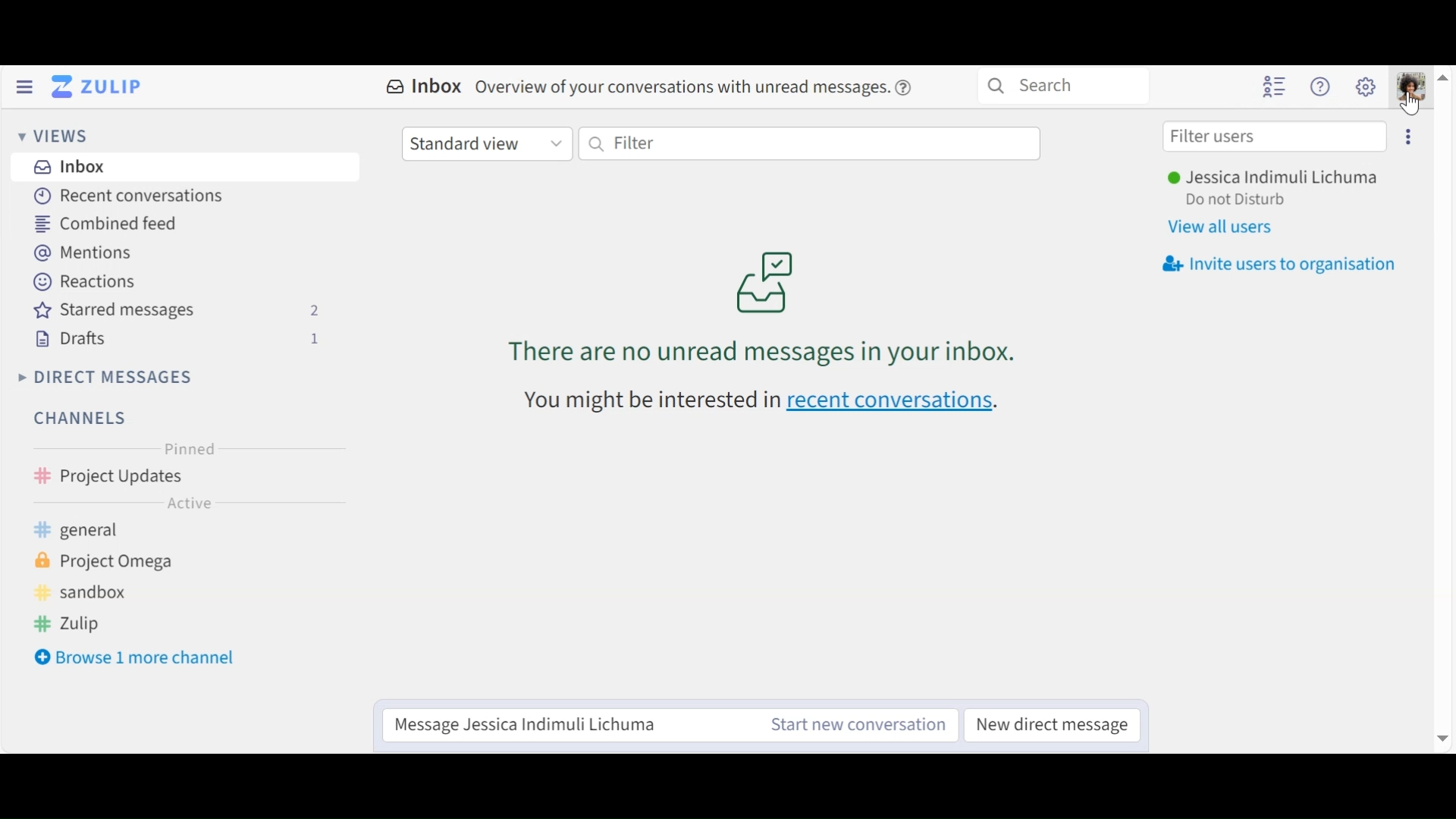 The width and height of the screenshot is (1456, 819). What do you see at coordinates (770, 297) in the screenshot?
I see `Overview of conversations with unread messages` at bounding box center [770, 297].